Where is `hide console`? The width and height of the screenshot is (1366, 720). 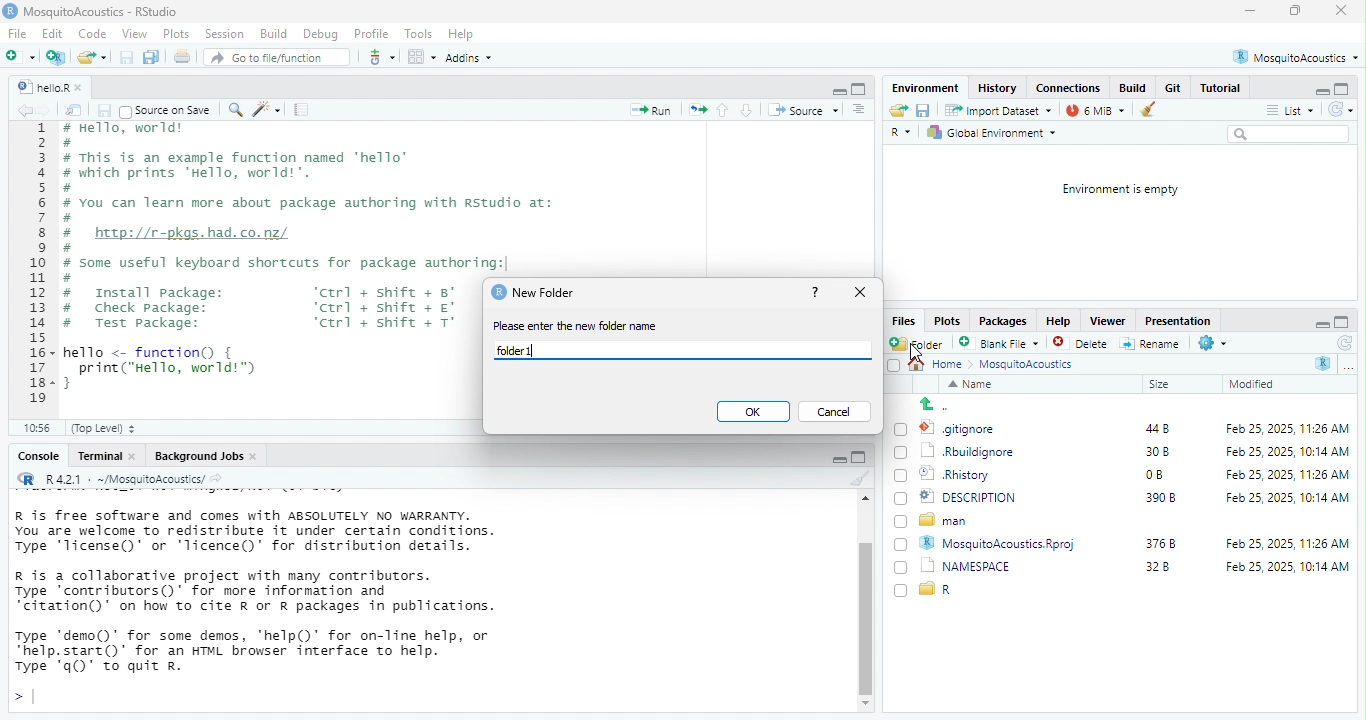
hide console is located at coordinates (861, 88).